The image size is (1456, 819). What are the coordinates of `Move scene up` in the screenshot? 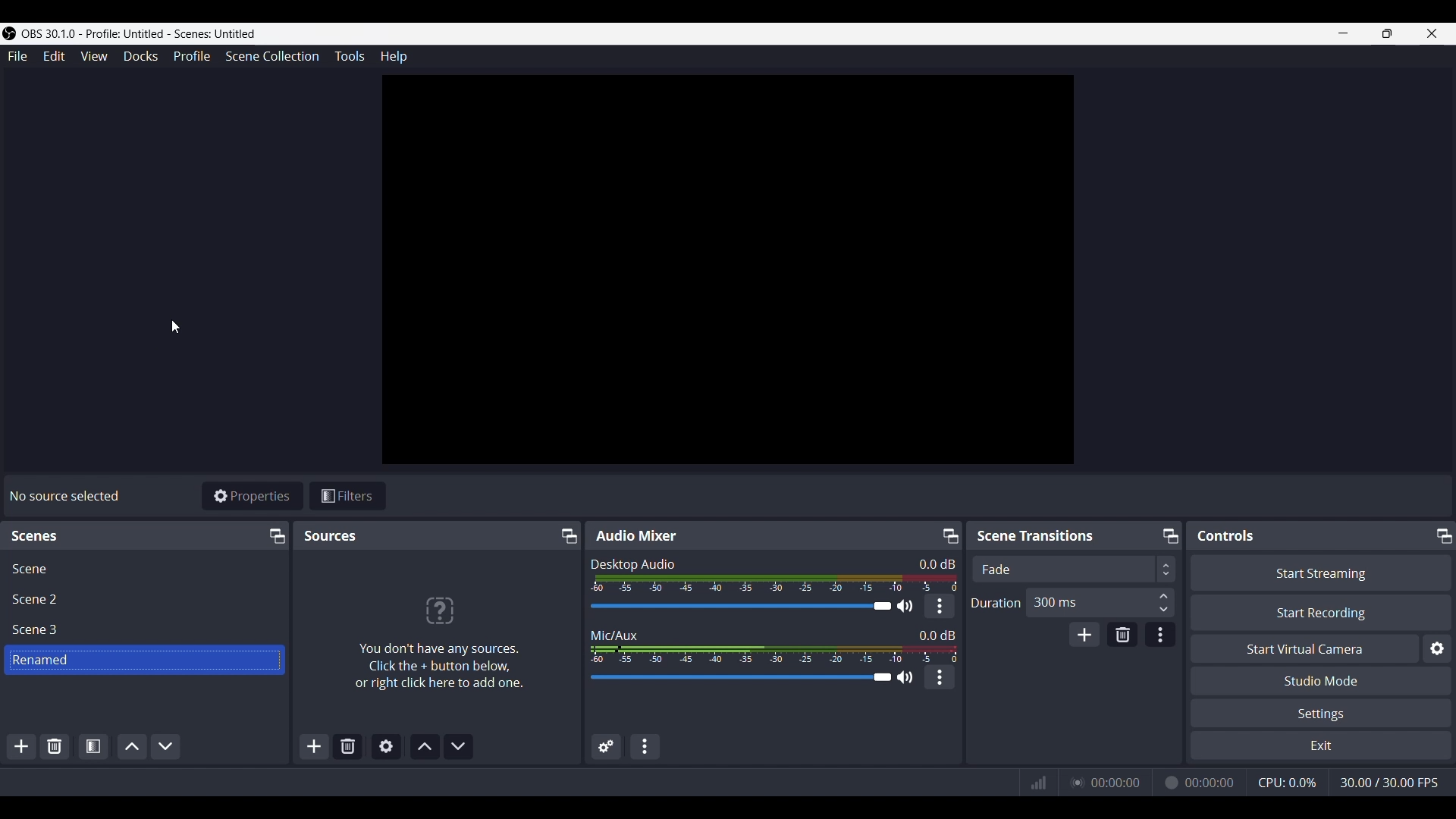 It's located at (132, 745).